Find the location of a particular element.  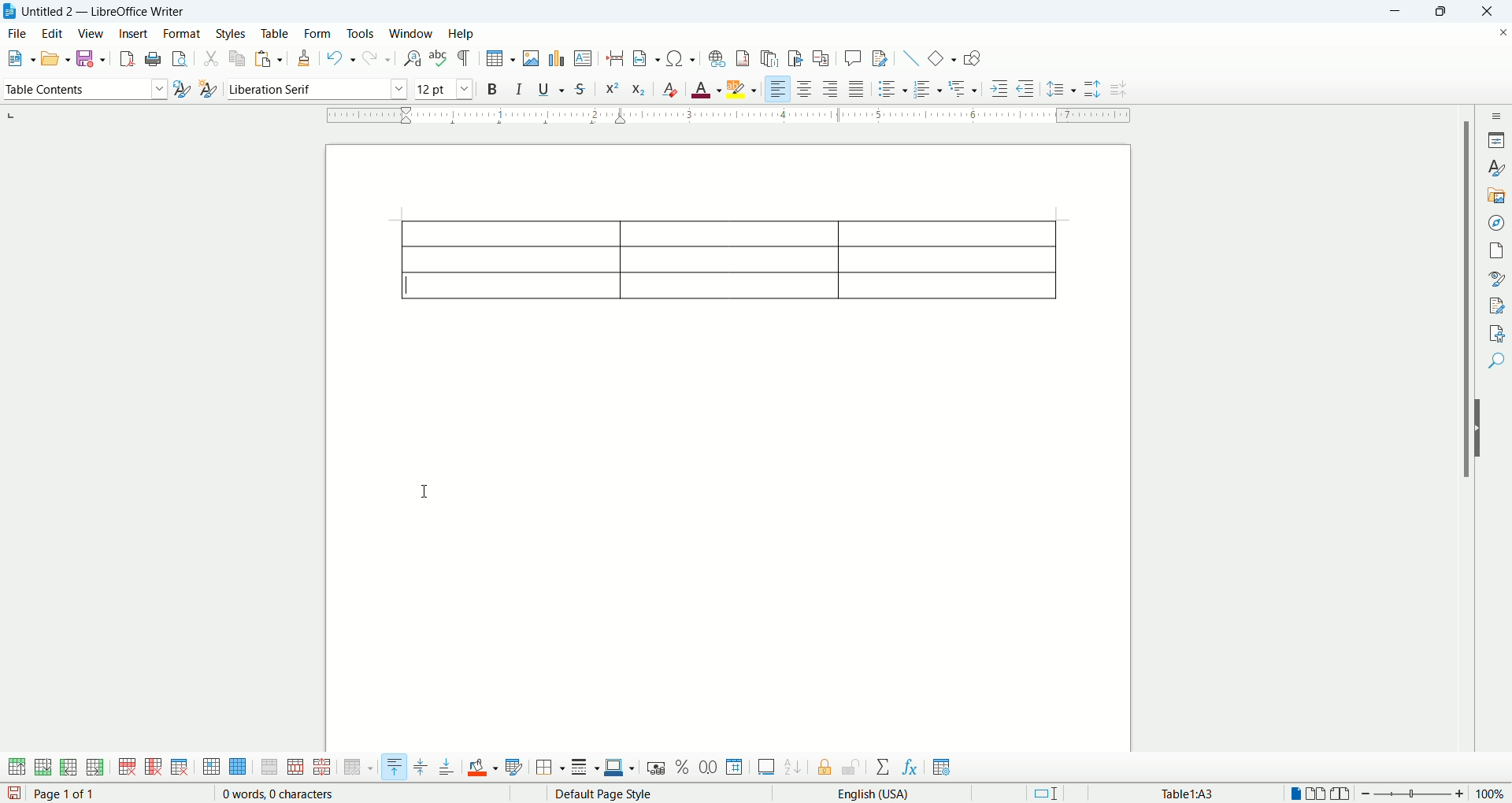

cell background color is located at coordinates (482, 768).